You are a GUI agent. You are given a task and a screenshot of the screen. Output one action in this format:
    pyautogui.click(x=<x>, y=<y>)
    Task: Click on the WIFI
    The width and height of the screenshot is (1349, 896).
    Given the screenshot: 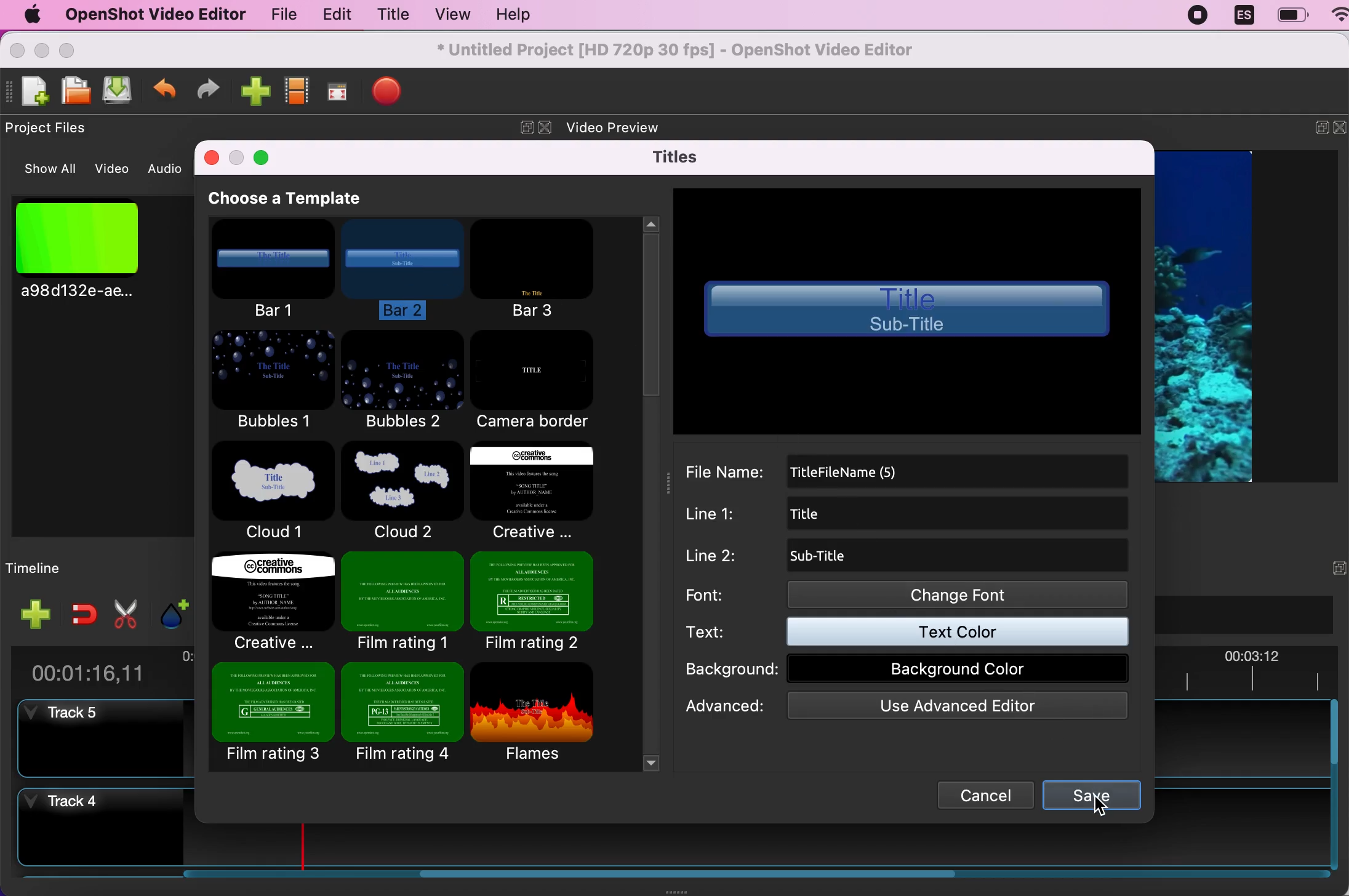 What is the action you would take?
    pyautogui.click(x=1340, y=14)
    